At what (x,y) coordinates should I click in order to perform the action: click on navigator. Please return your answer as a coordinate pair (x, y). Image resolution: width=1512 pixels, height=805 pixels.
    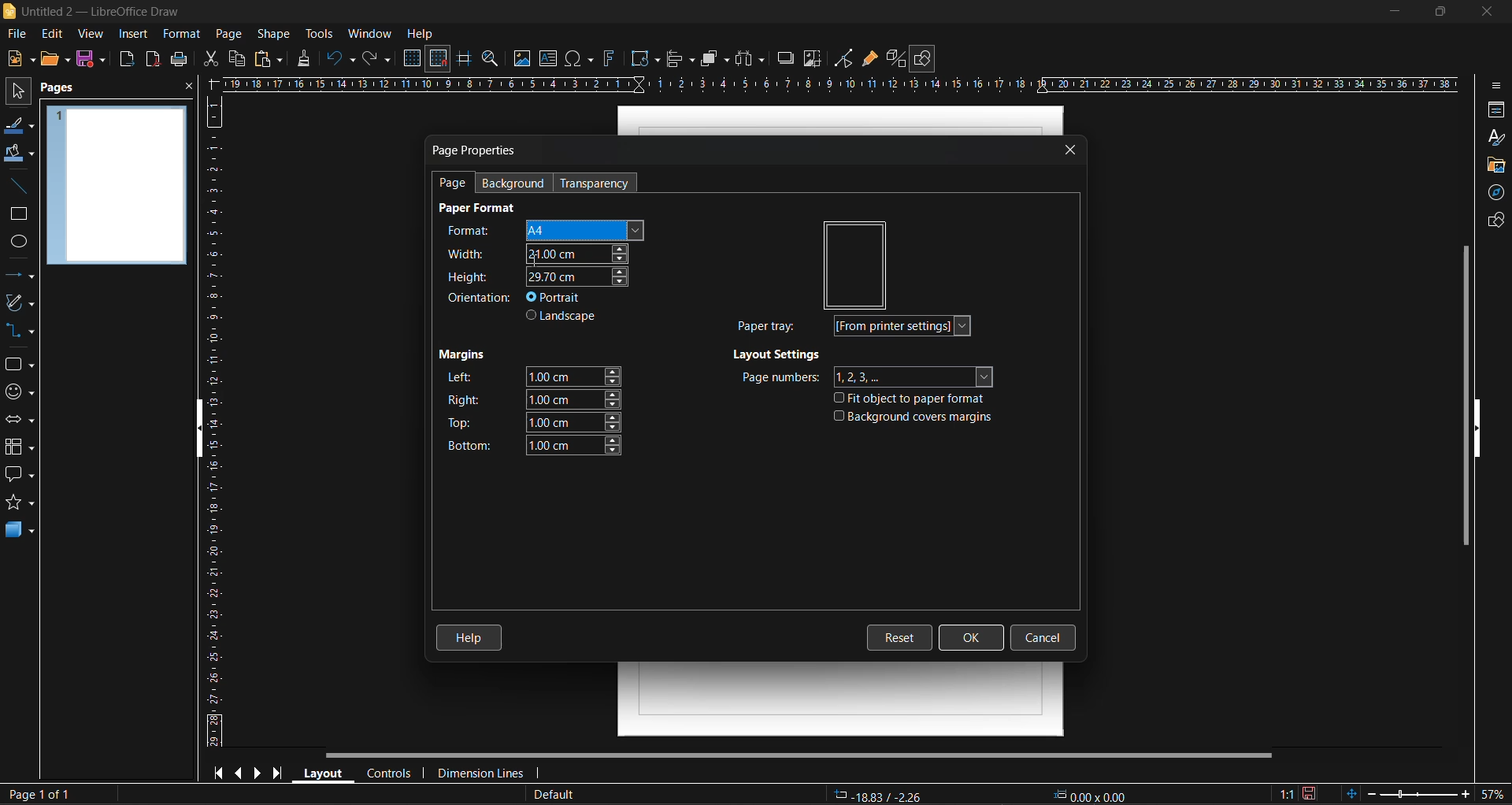
    Looking at the image, I should click on (1494, 193).